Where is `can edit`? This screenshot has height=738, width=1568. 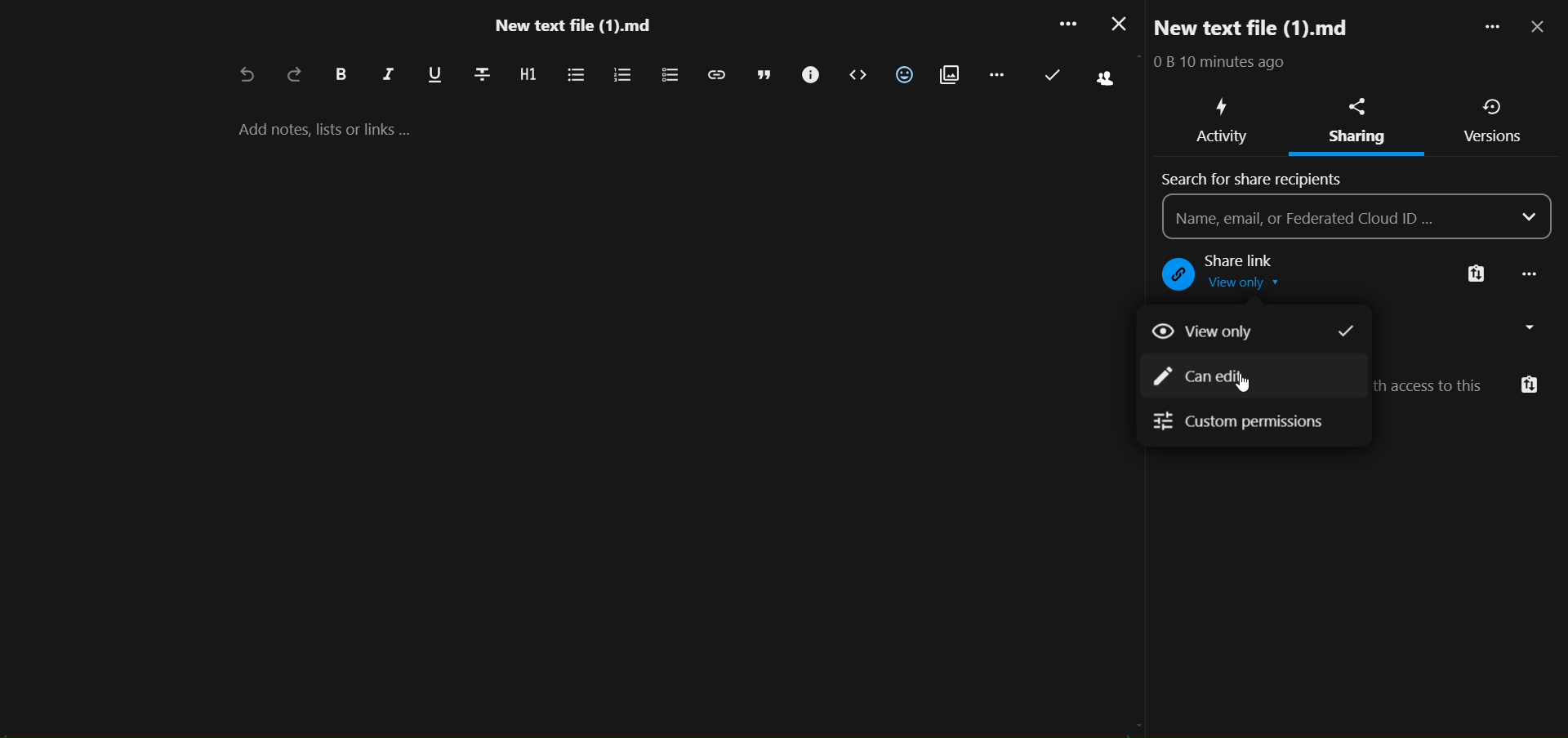 can edit is located at coordinates (1211, 378).